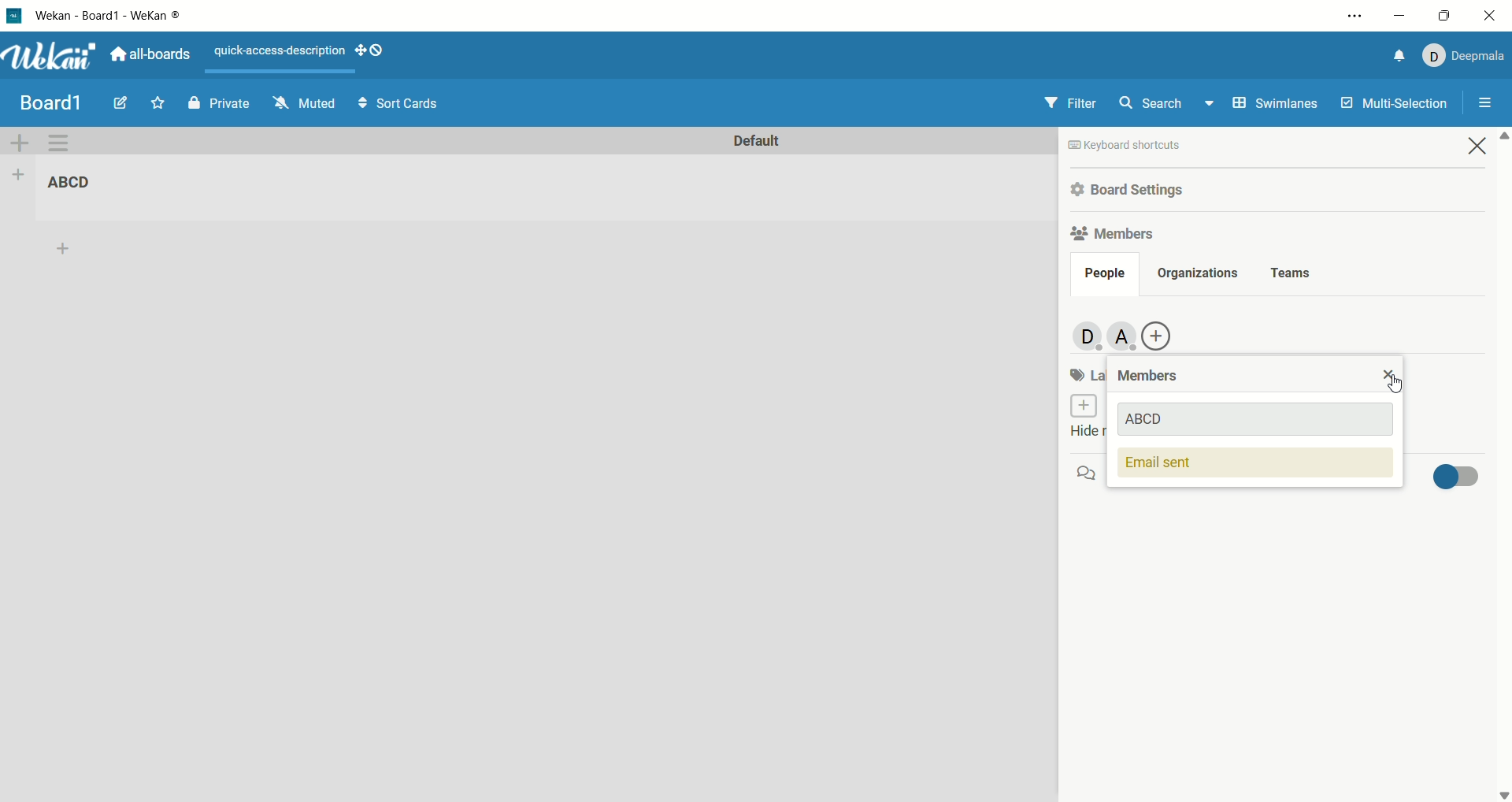  I want to click on edit, so click(120, 102).